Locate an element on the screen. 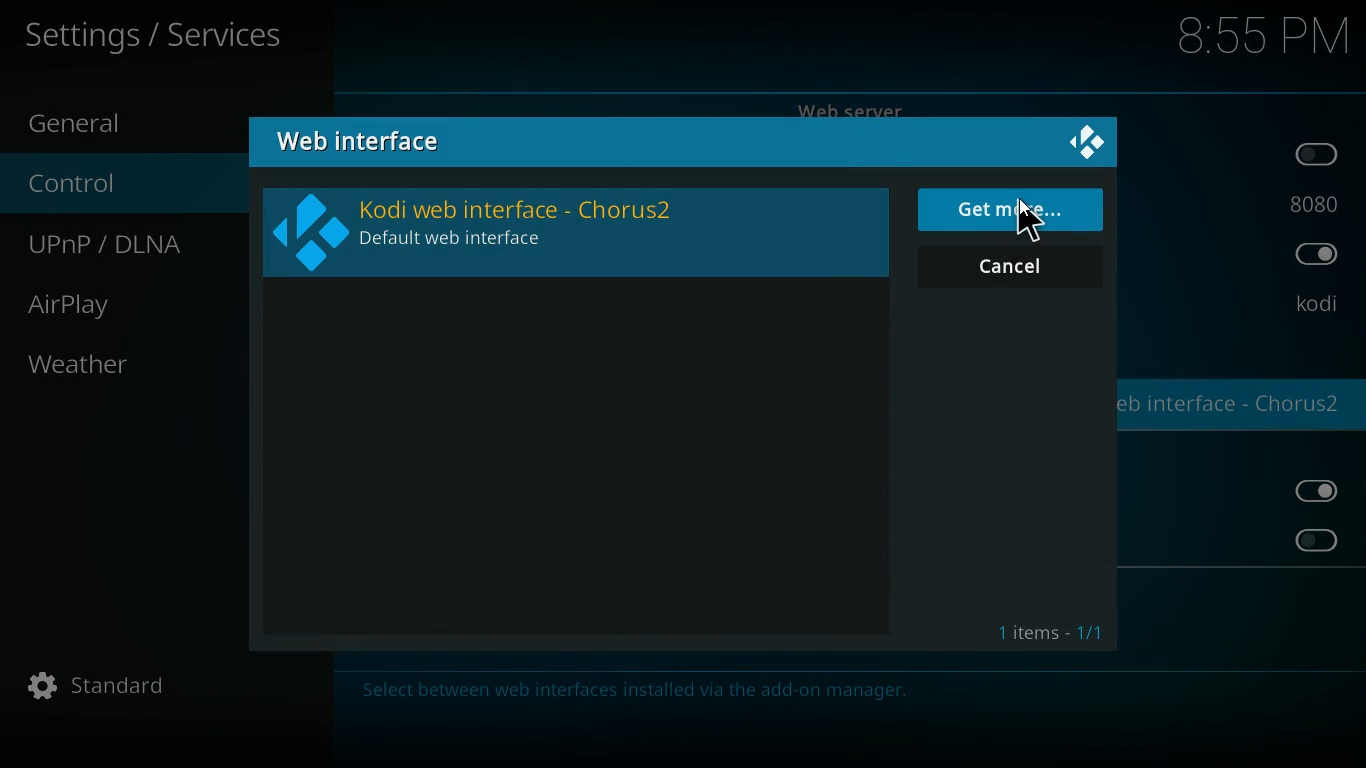 This screenshot has width=1366, height=768. web interface is located at coordinates (1235, 407).